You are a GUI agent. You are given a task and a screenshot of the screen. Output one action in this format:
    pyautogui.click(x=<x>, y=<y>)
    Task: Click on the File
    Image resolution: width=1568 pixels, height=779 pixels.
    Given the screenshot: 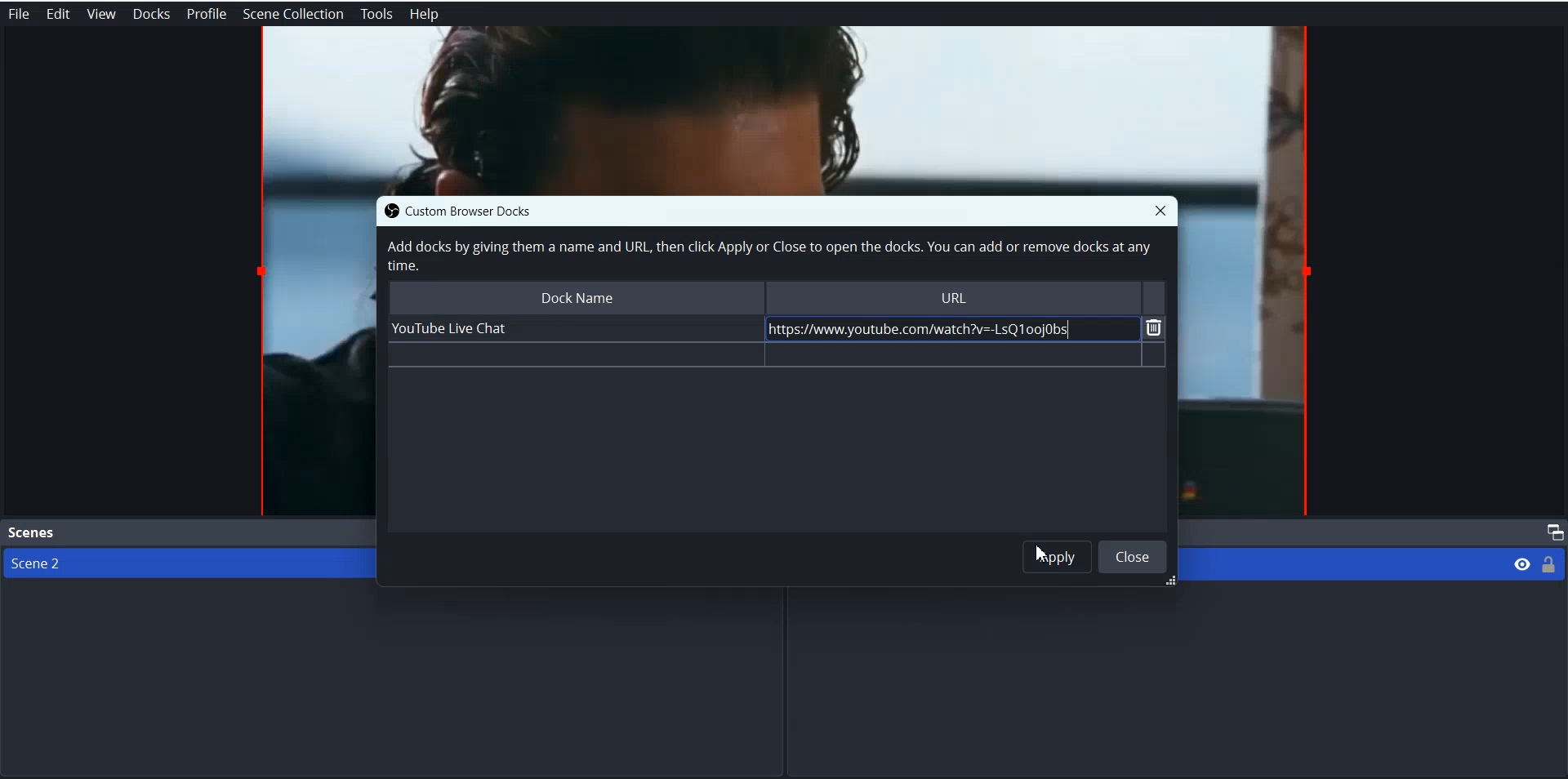 What is the action you would take?
    pyautogui.click(x=18, y=14)
    